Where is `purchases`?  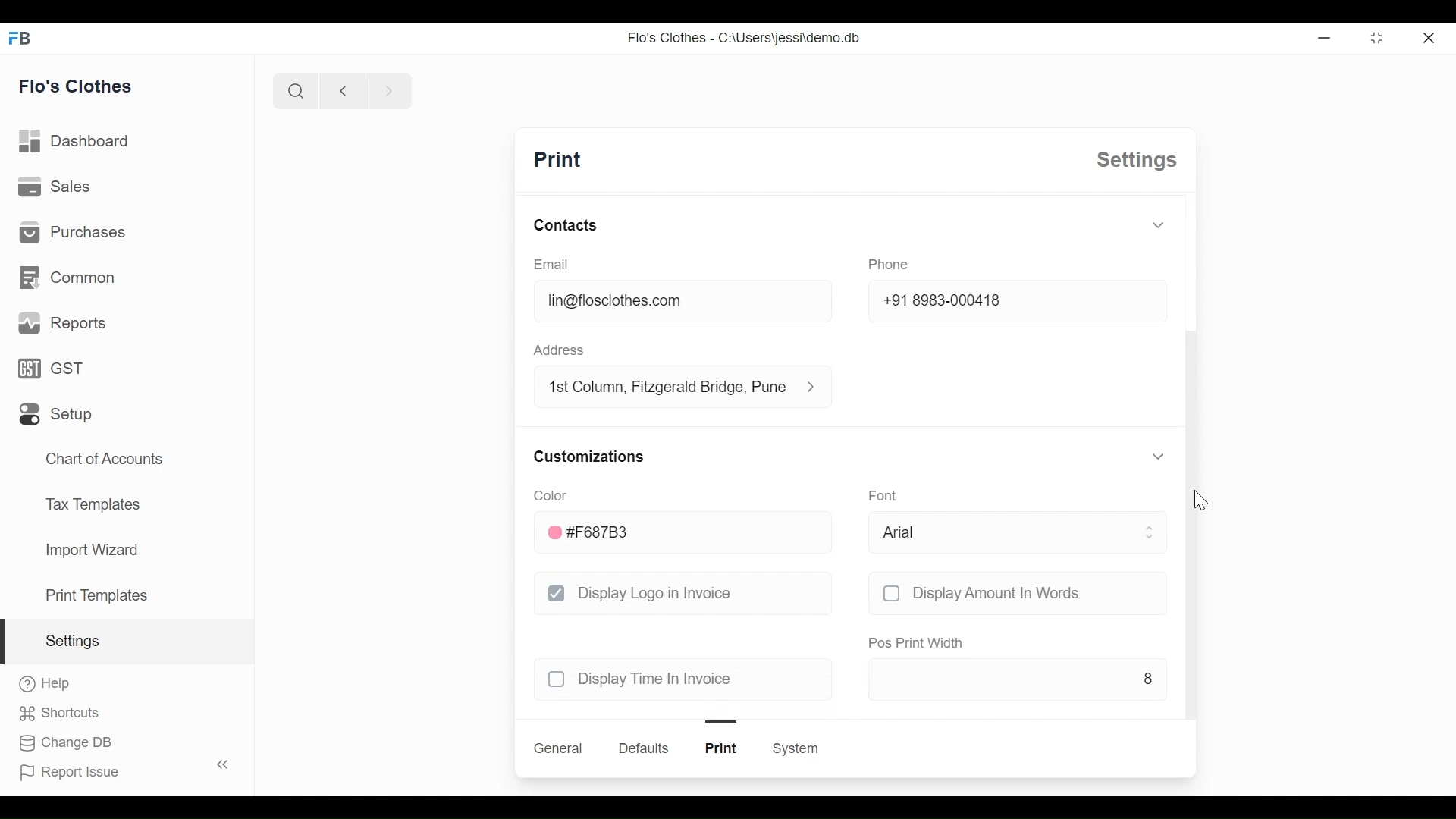 purchases is located at coordinates (71, 231).